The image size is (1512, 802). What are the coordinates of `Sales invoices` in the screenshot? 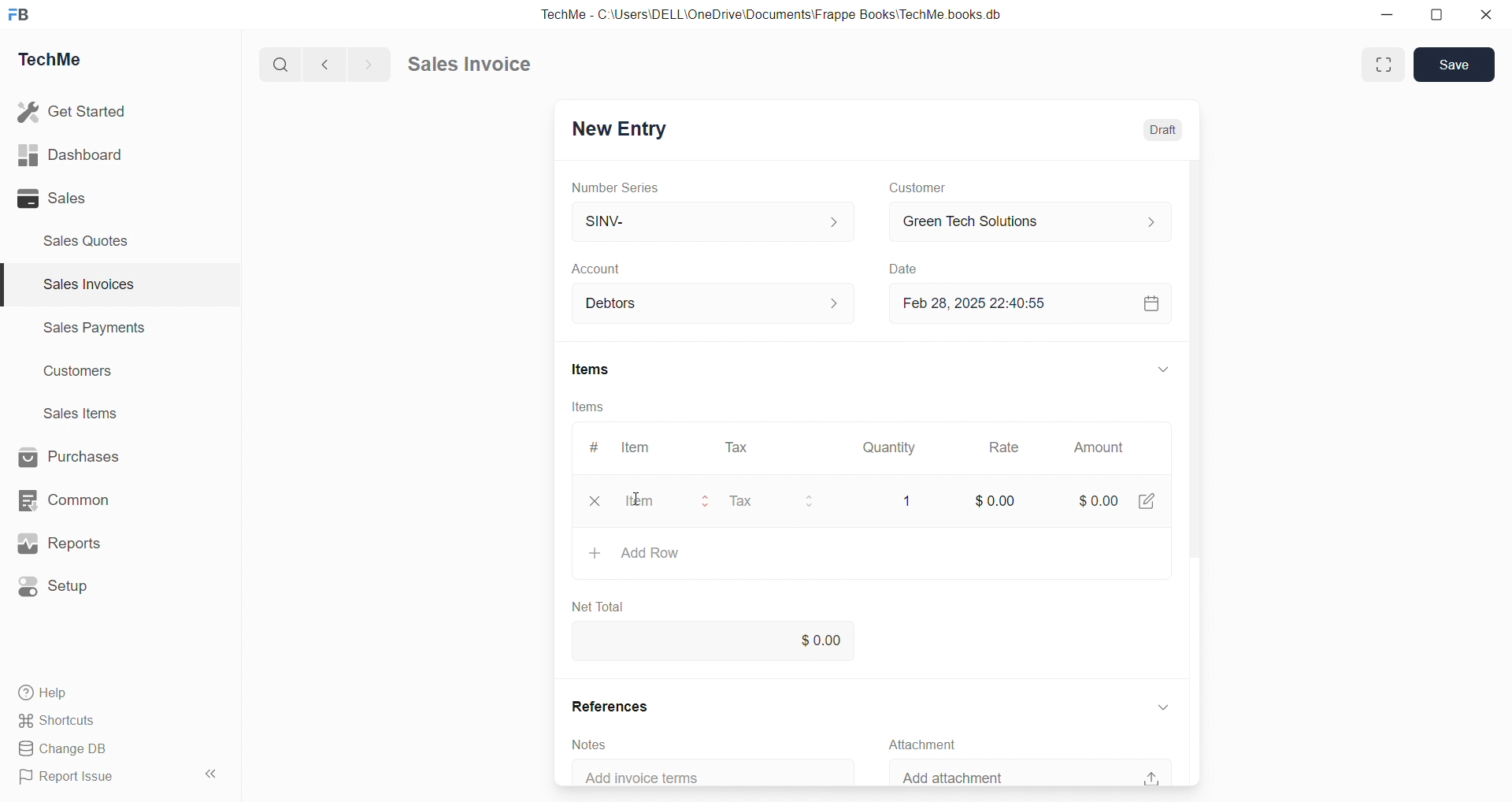 It's located at (87, 284).